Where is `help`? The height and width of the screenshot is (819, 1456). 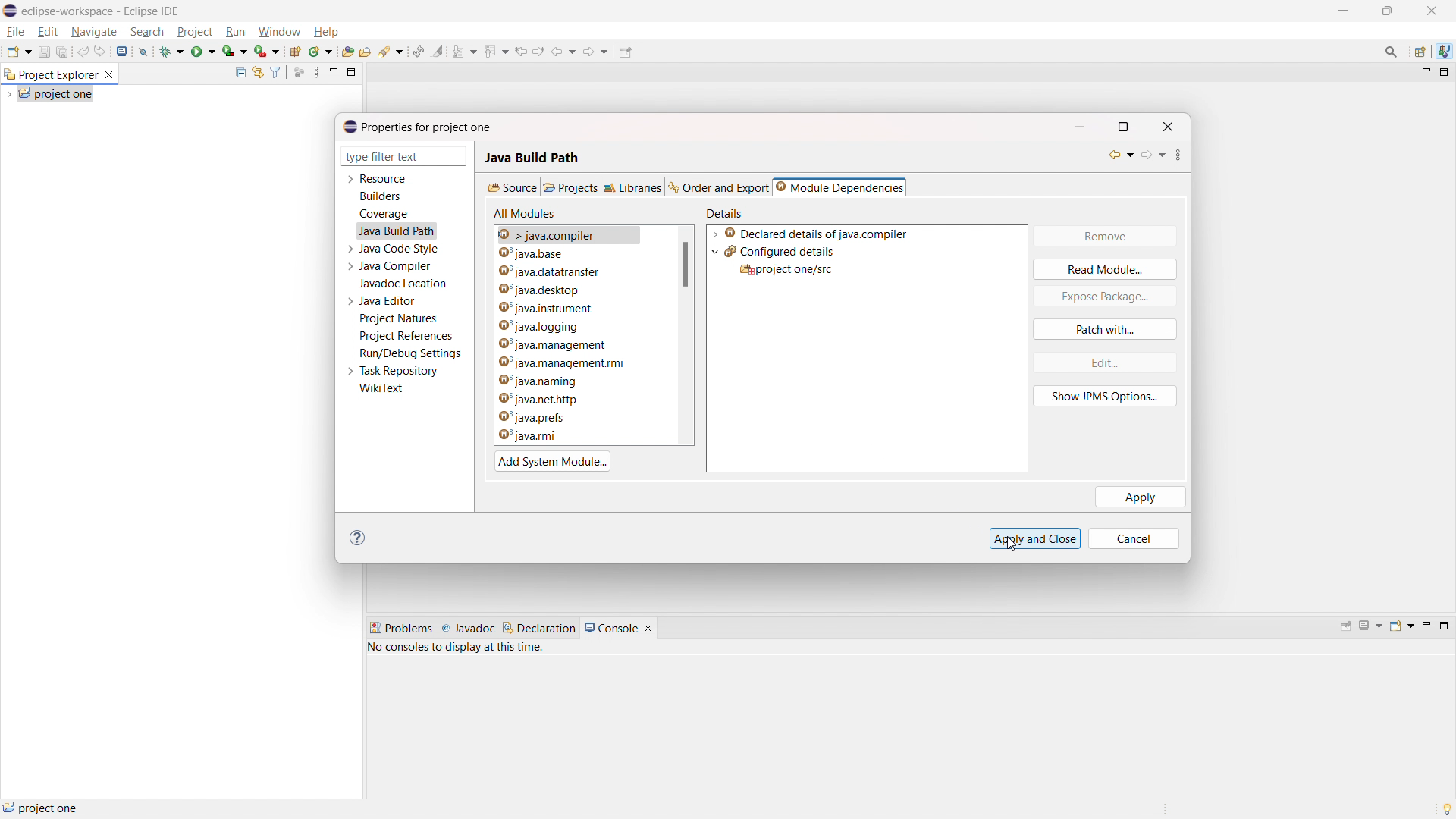 help is located at coordinates (325, 32).